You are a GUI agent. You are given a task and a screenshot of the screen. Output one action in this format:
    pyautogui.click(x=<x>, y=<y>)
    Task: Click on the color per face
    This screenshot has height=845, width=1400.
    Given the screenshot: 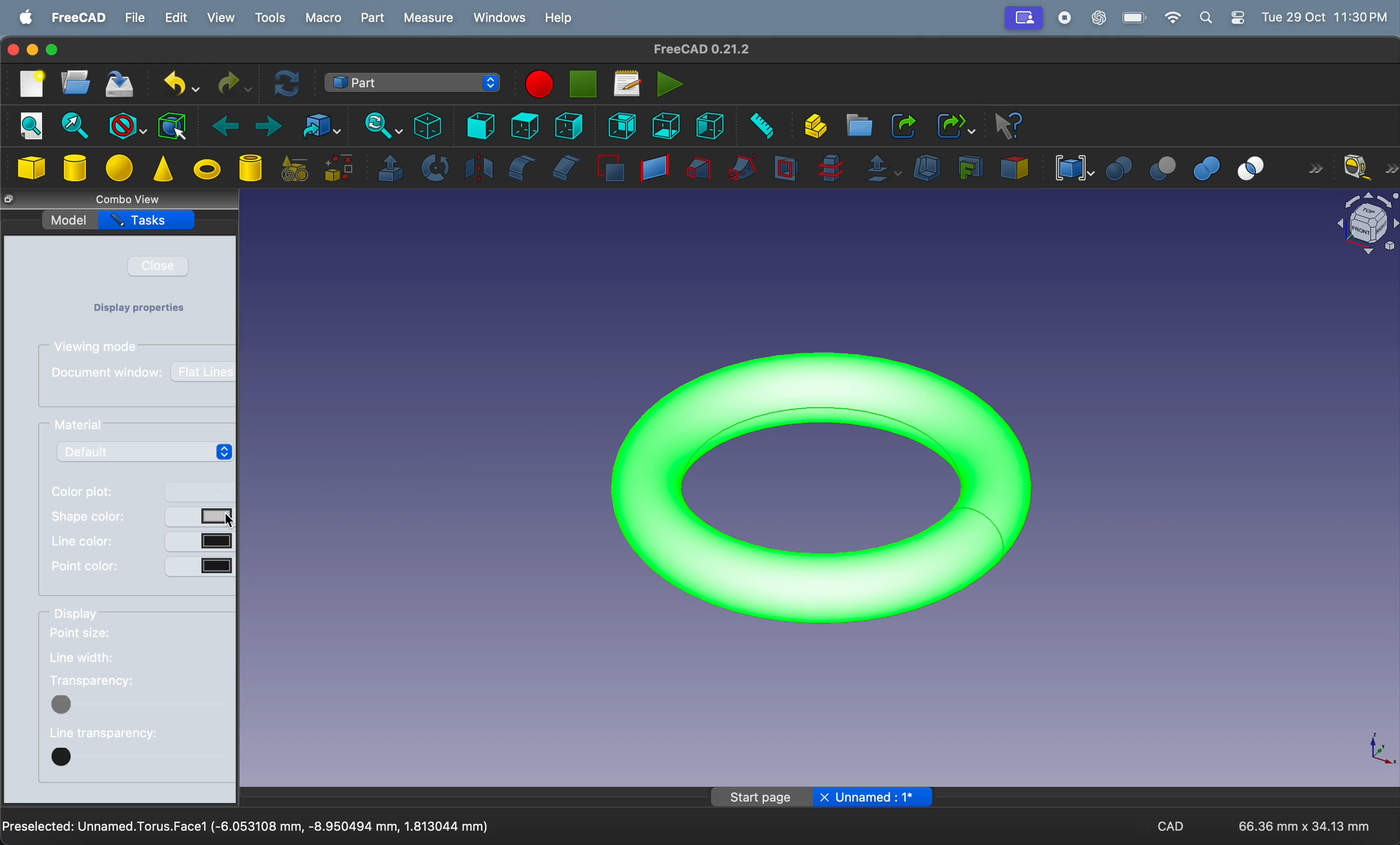 What is the action you would take?
    pyautogui.click(x=1014, y=167)
    